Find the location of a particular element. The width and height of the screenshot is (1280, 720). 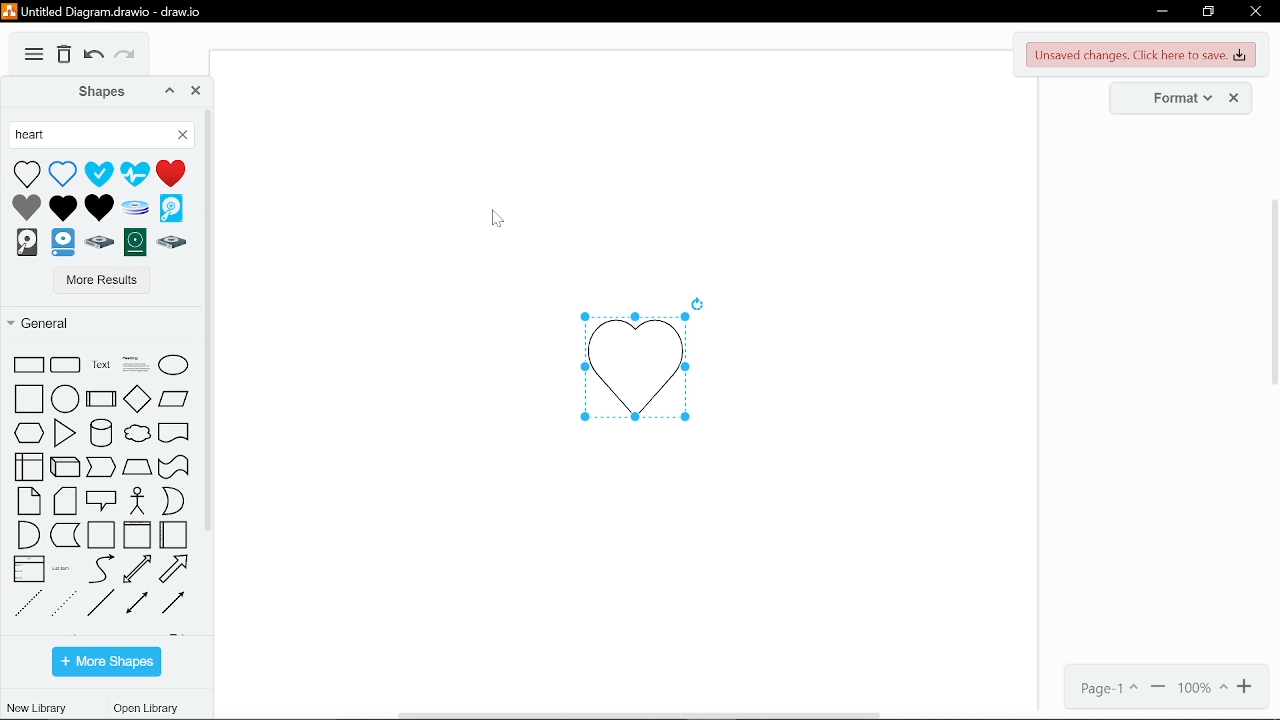

more results is located at coordinates (98, 282).